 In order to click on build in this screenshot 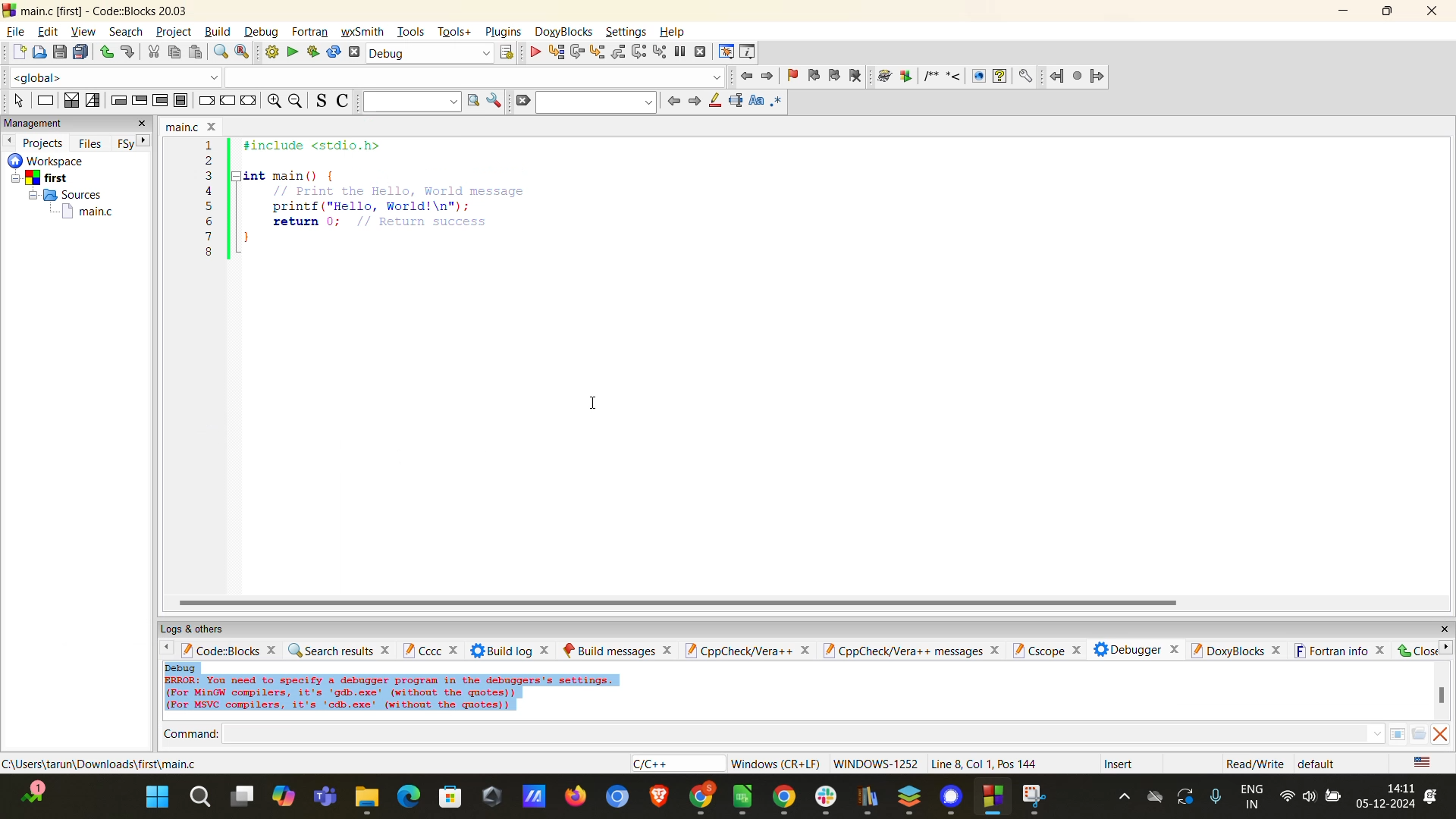, I will do `click(268, 55)`.